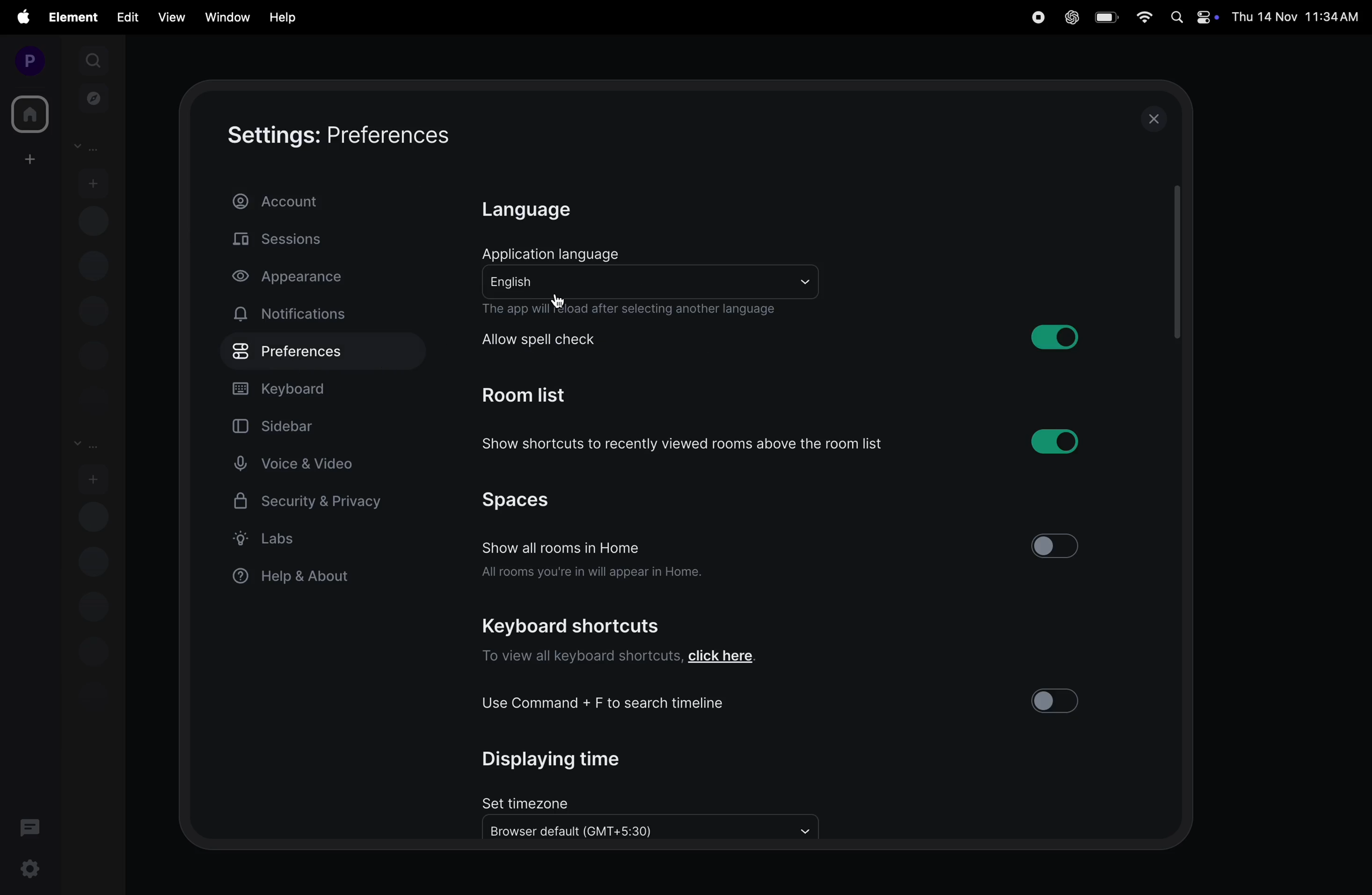 The width and height of the screenshot is (1372, 895). What do you see at coordinates (1139, 17) in the screenshot?
I see `wifi` at bounding box center [1139, 17].